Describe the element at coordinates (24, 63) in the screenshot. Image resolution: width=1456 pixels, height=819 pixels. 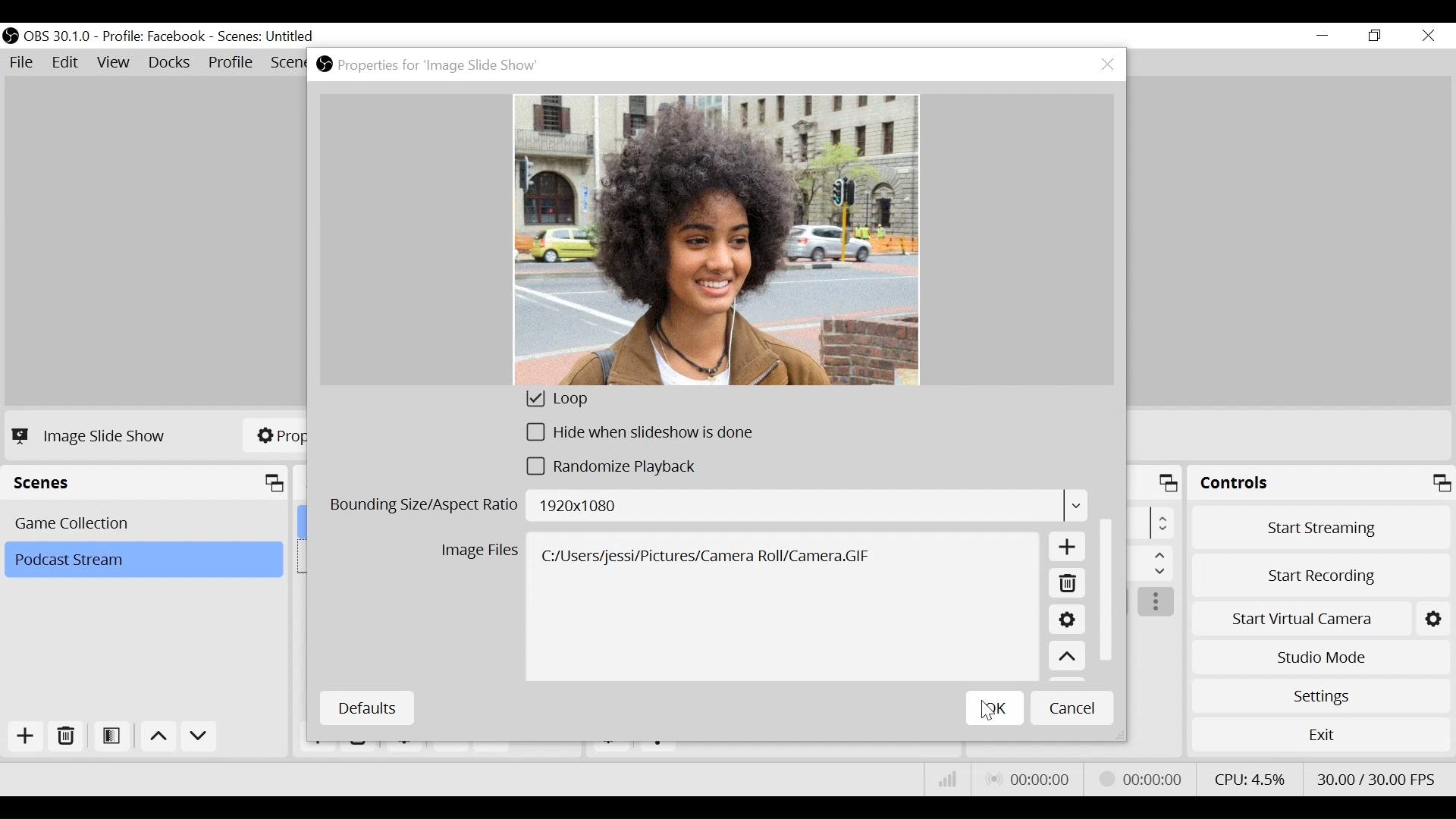
I see `File` at that location.